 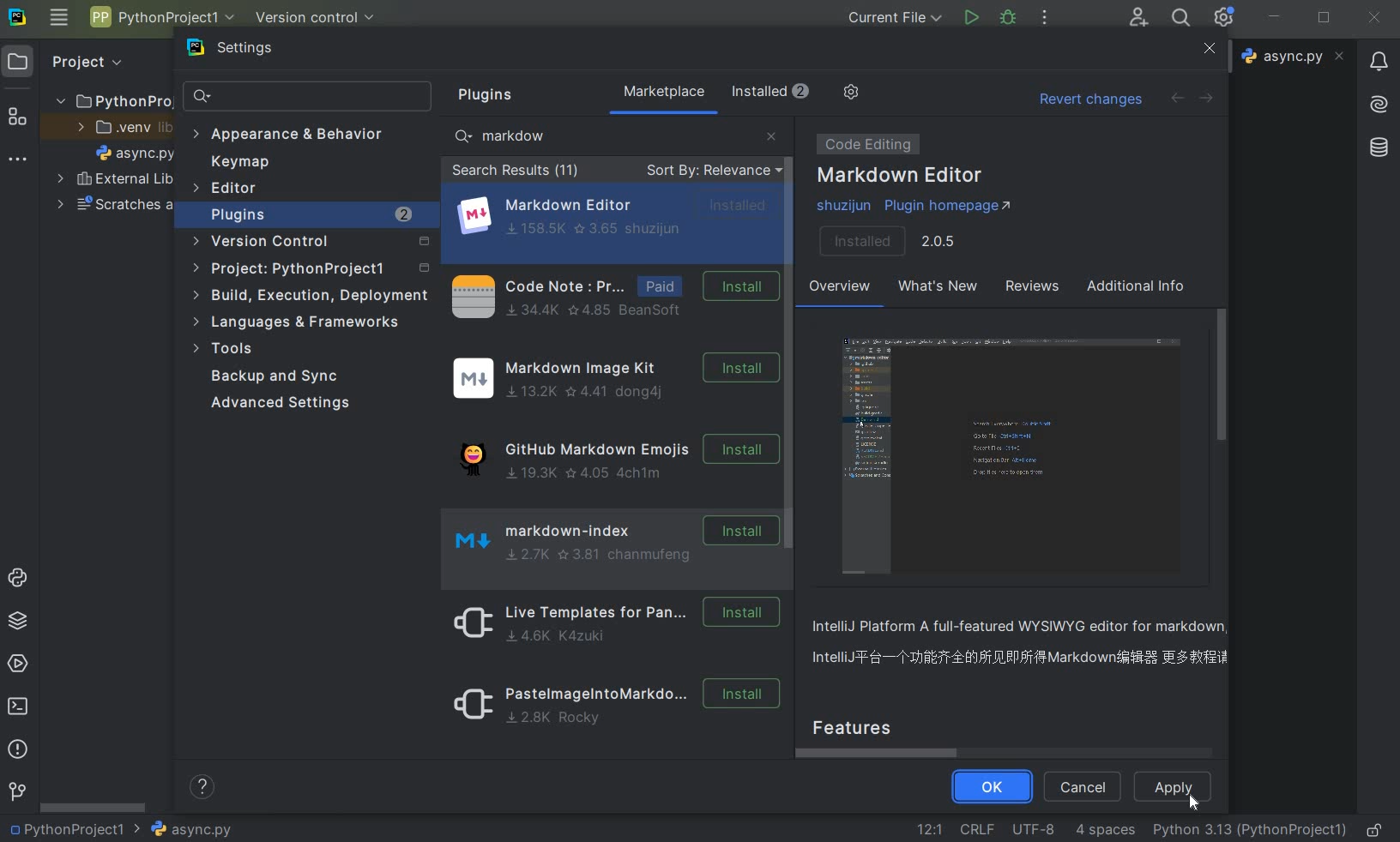 I want to click on markdown-index, so click(x=607, y=538).